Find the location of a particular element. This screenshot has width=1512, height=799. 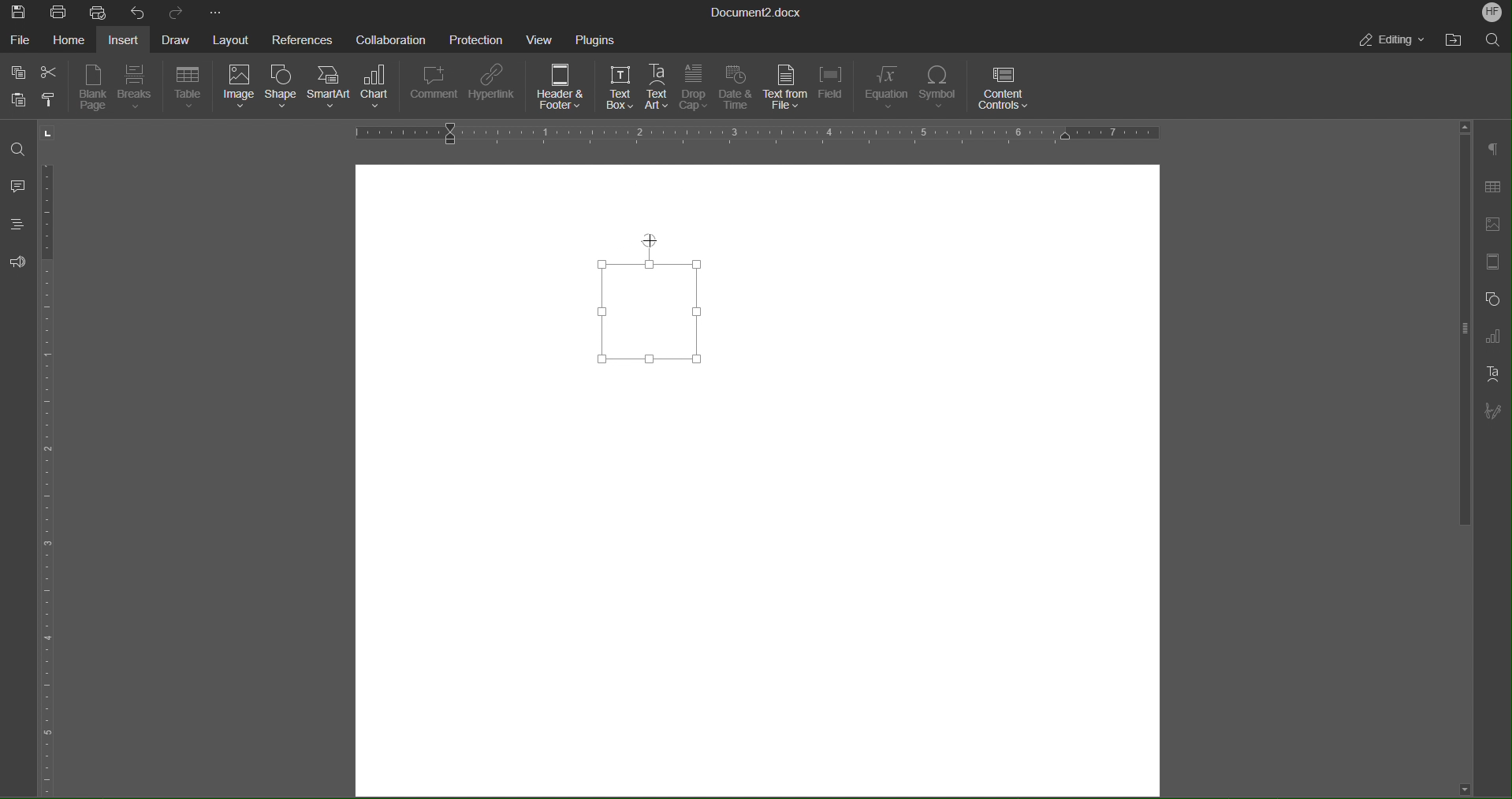

View is located at coordinates (542, 38).